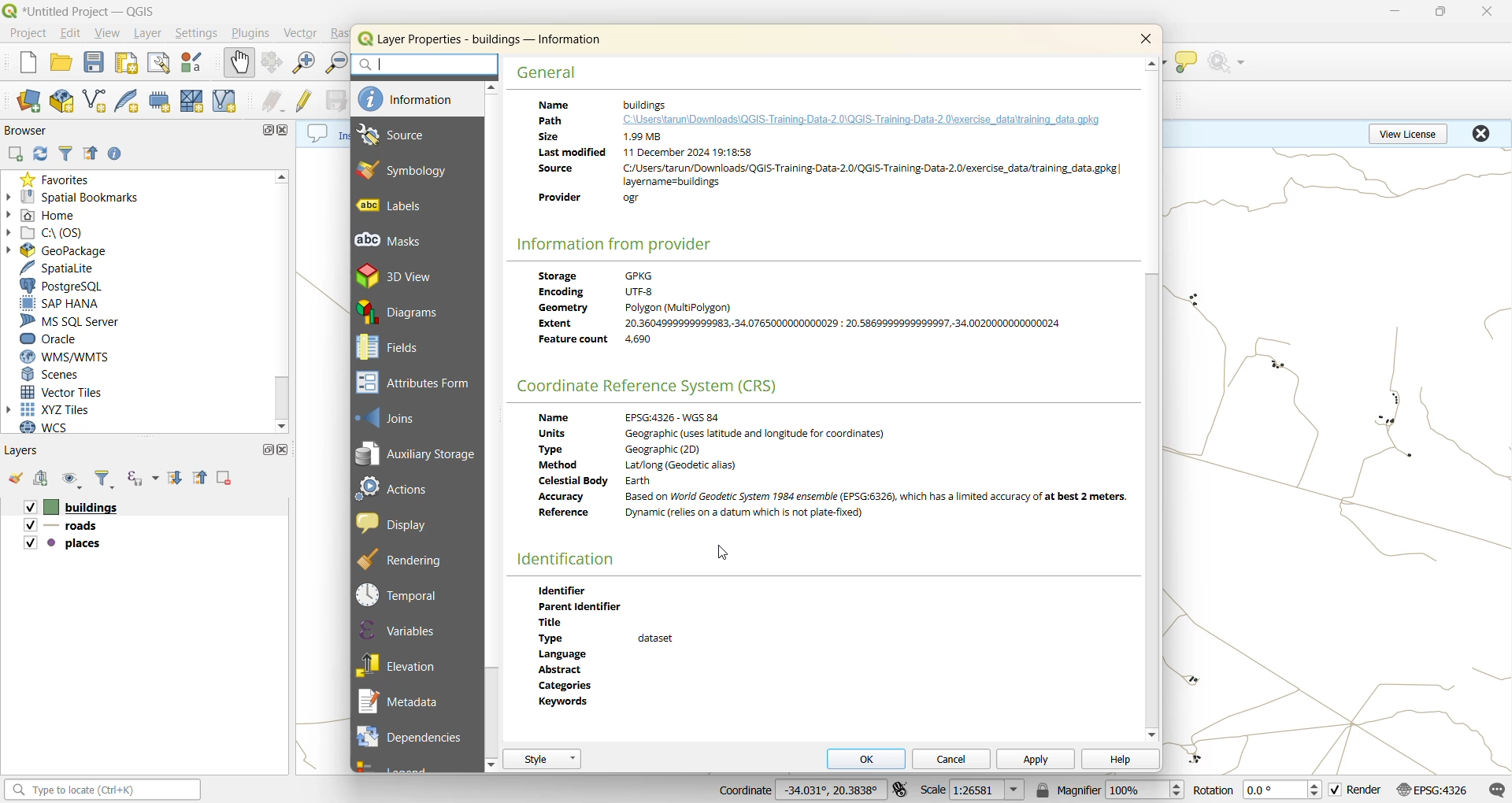  Describe the element at coordinates (66, 508) in the screenshot. I see `buildings` at that location.